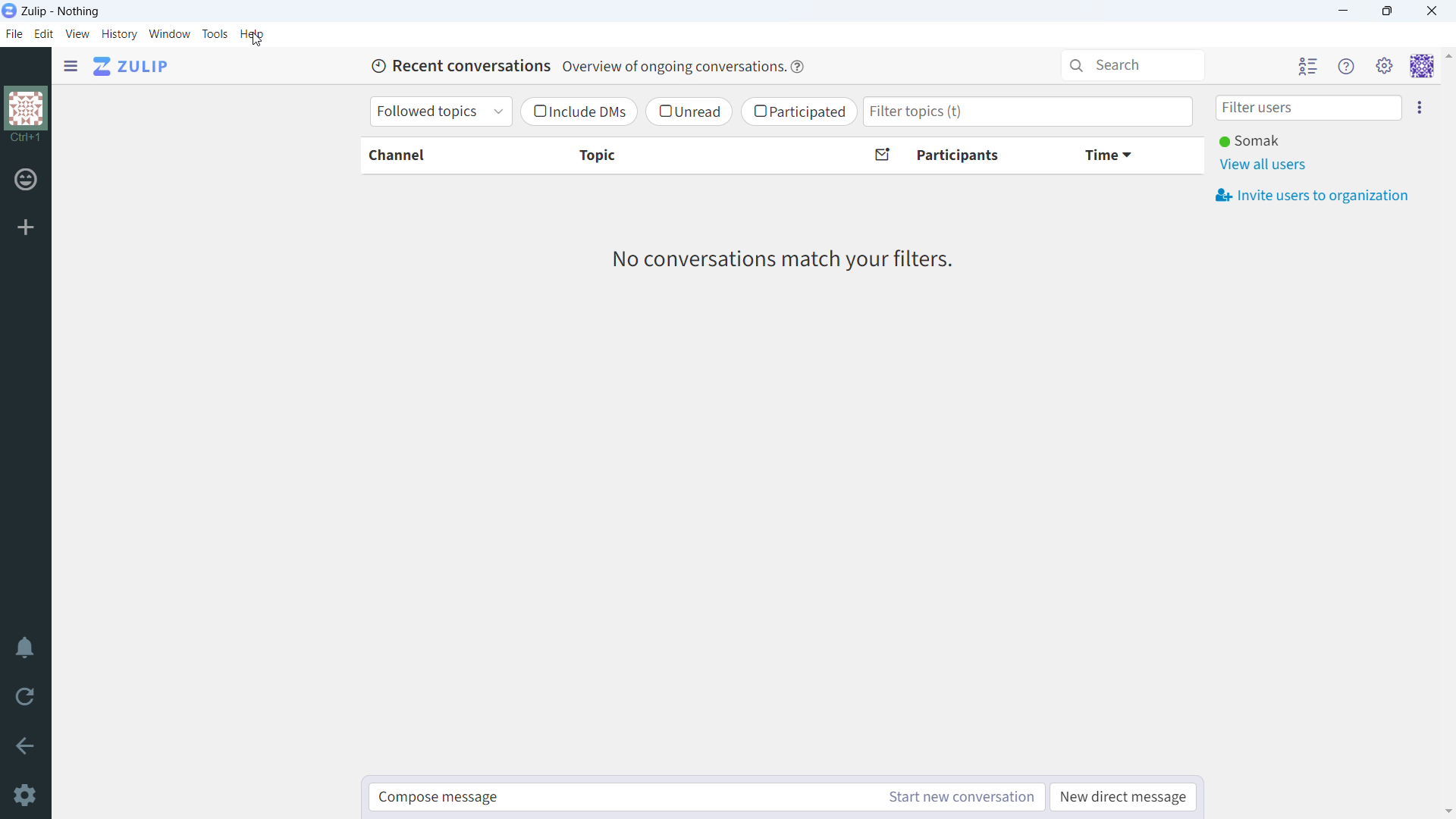  Describe the element at coordinates (957, 156) in the screenshot. I see `sort by participants` at that location.